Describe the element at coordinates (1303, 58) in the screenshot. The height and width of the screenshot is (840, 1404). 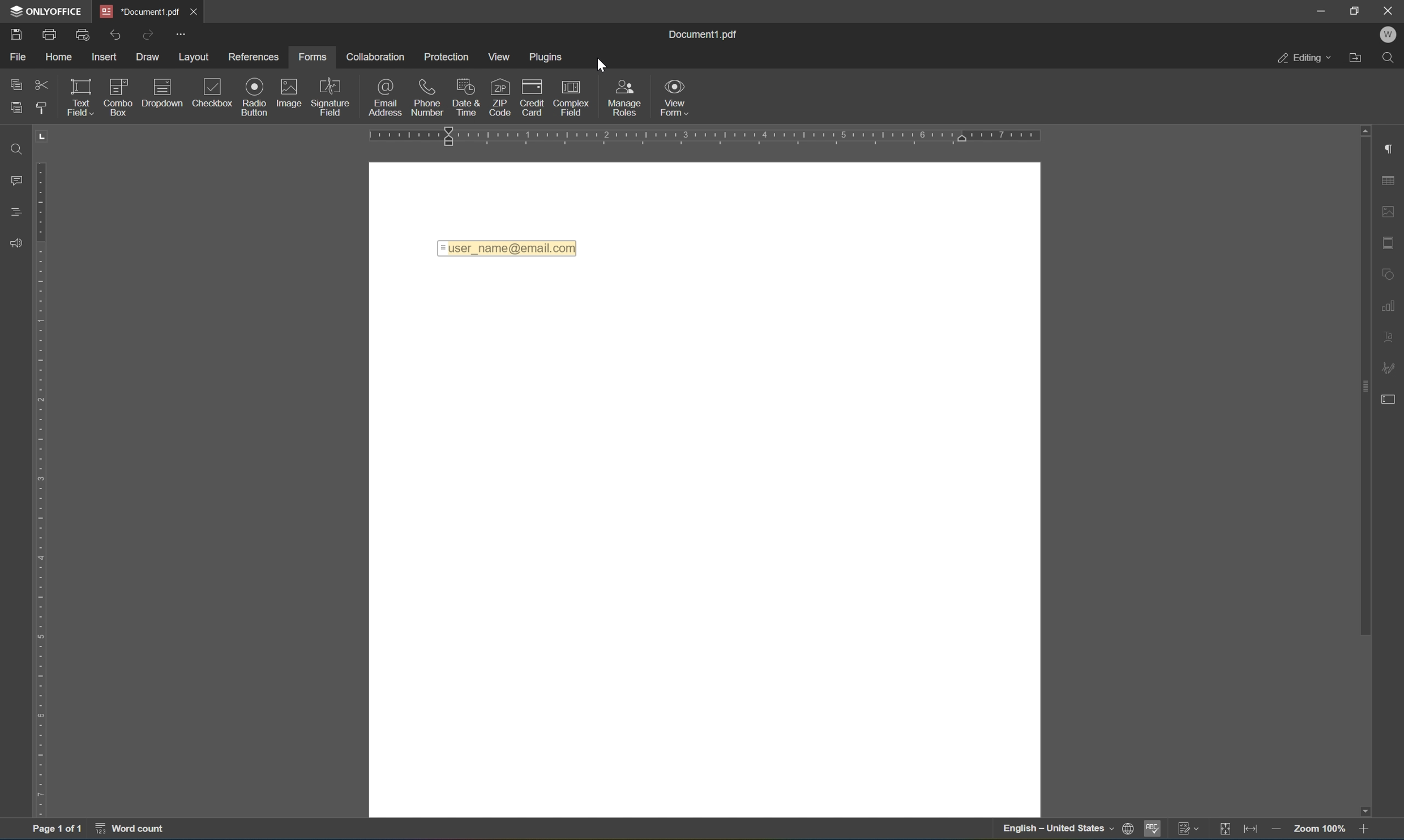
I see `editing` at that location.